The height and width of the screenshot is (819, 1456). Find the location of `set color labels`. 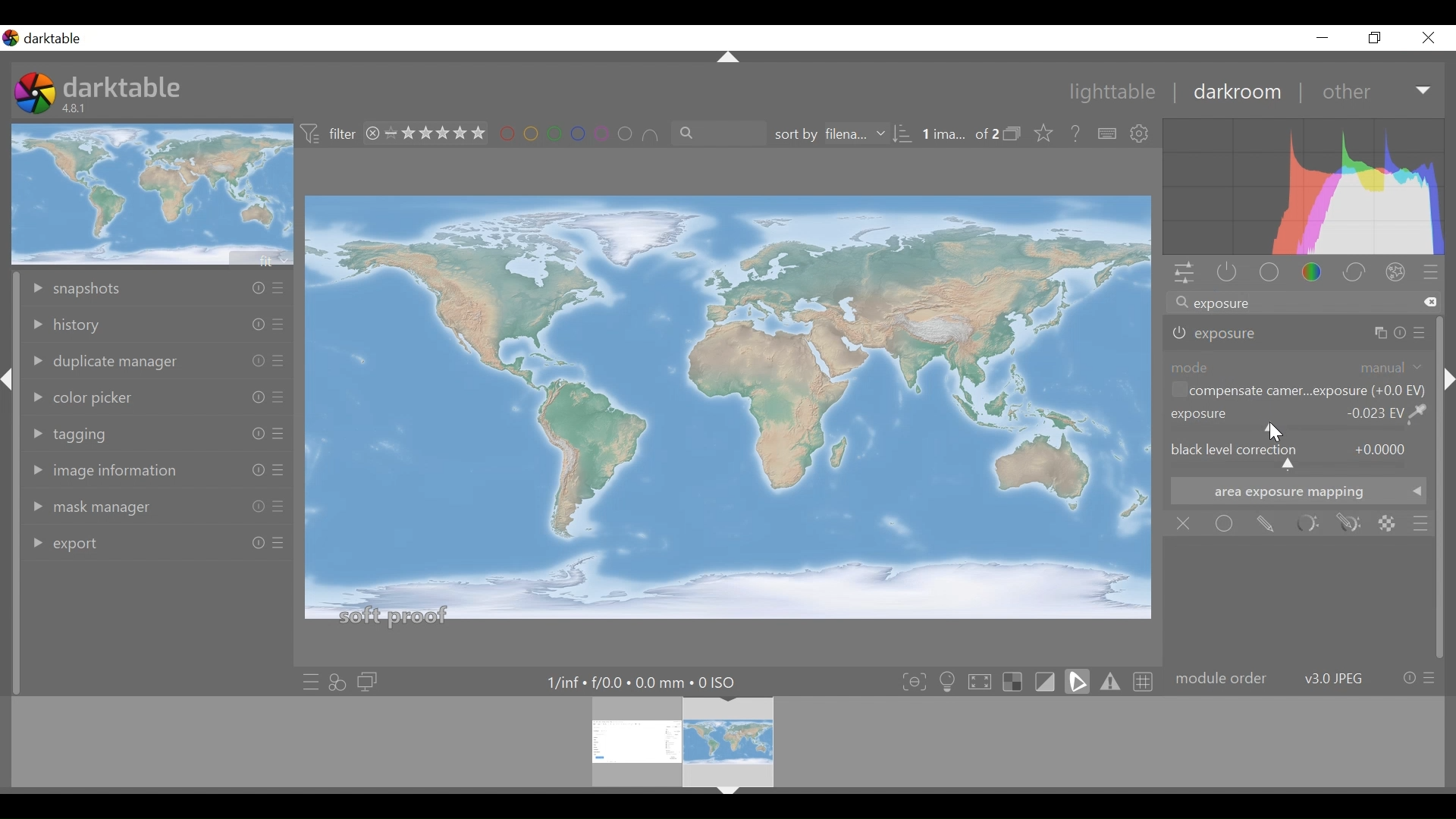

set color labels is located at coordinates (579, 134).